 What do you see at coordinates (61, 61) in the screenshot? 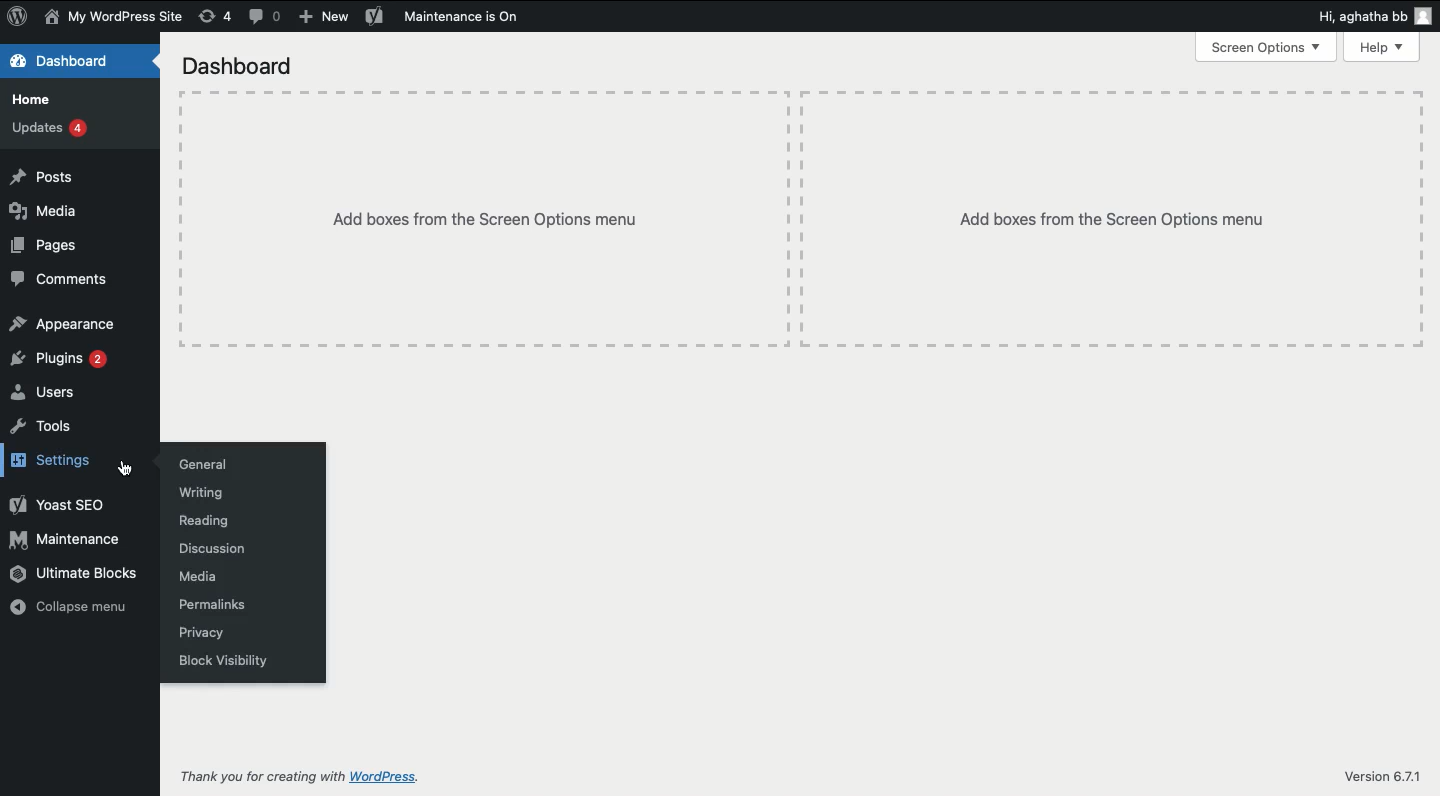
I see `dashboard ` at bounding box center [61, 61].